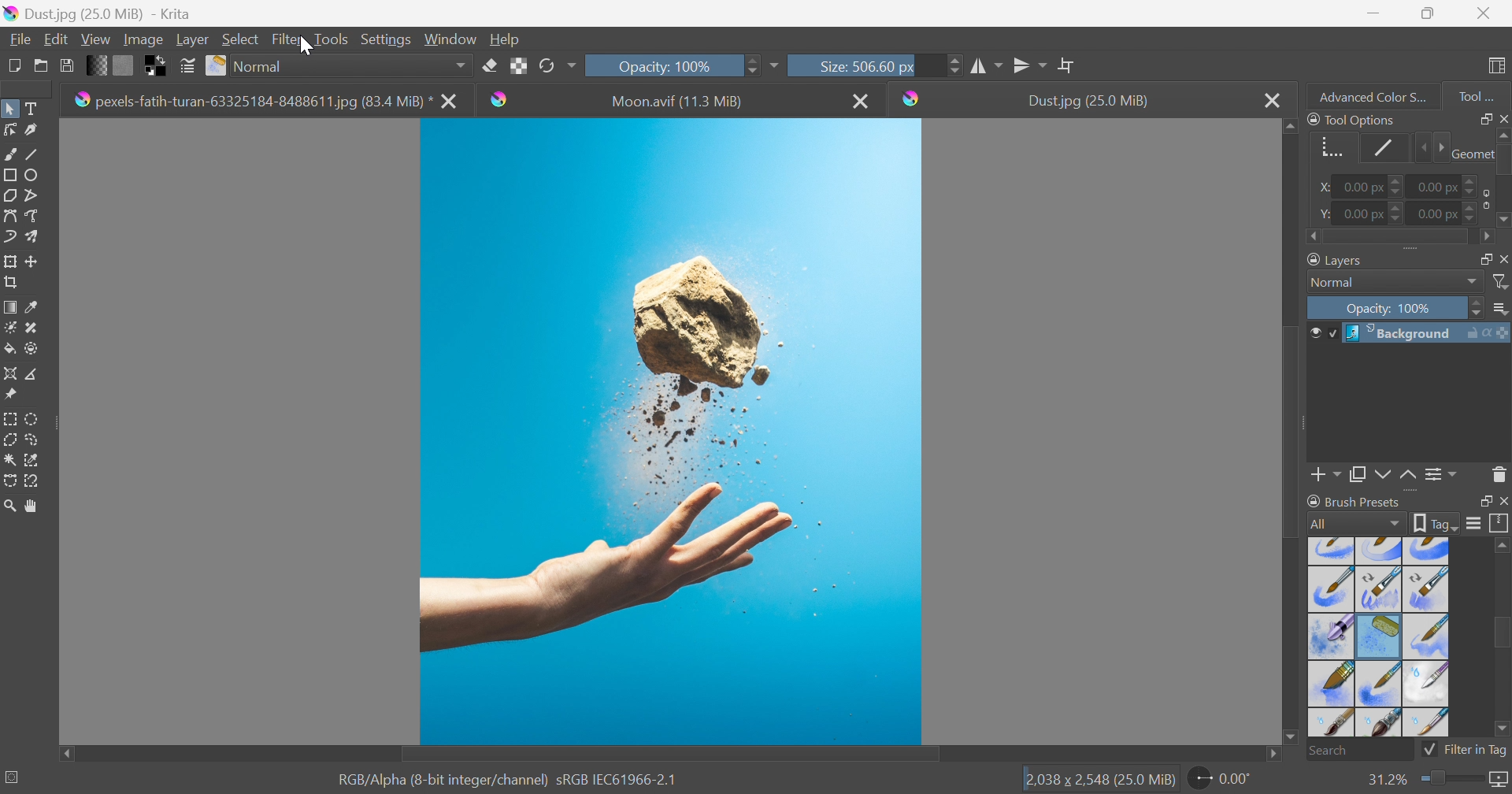 Image resolution: width=1512 pixels, height=794 pixels. What do you see at coordinates (1484, 93) in the screenshot?
I see `Tool...` at bounding box center [1484, 93].